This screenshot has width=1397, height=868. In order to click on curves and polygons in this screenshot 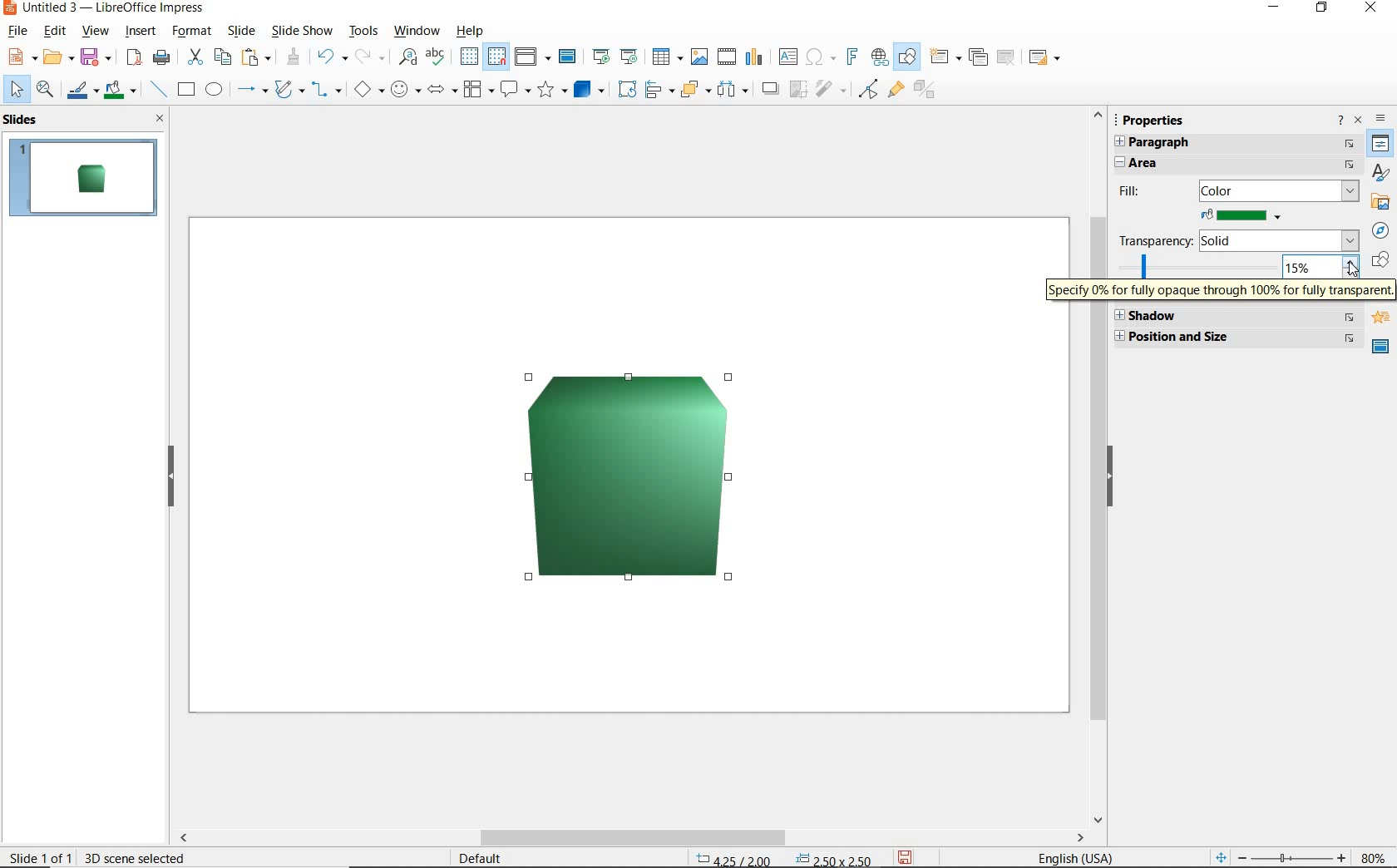, I will do `click(290, 91)`.